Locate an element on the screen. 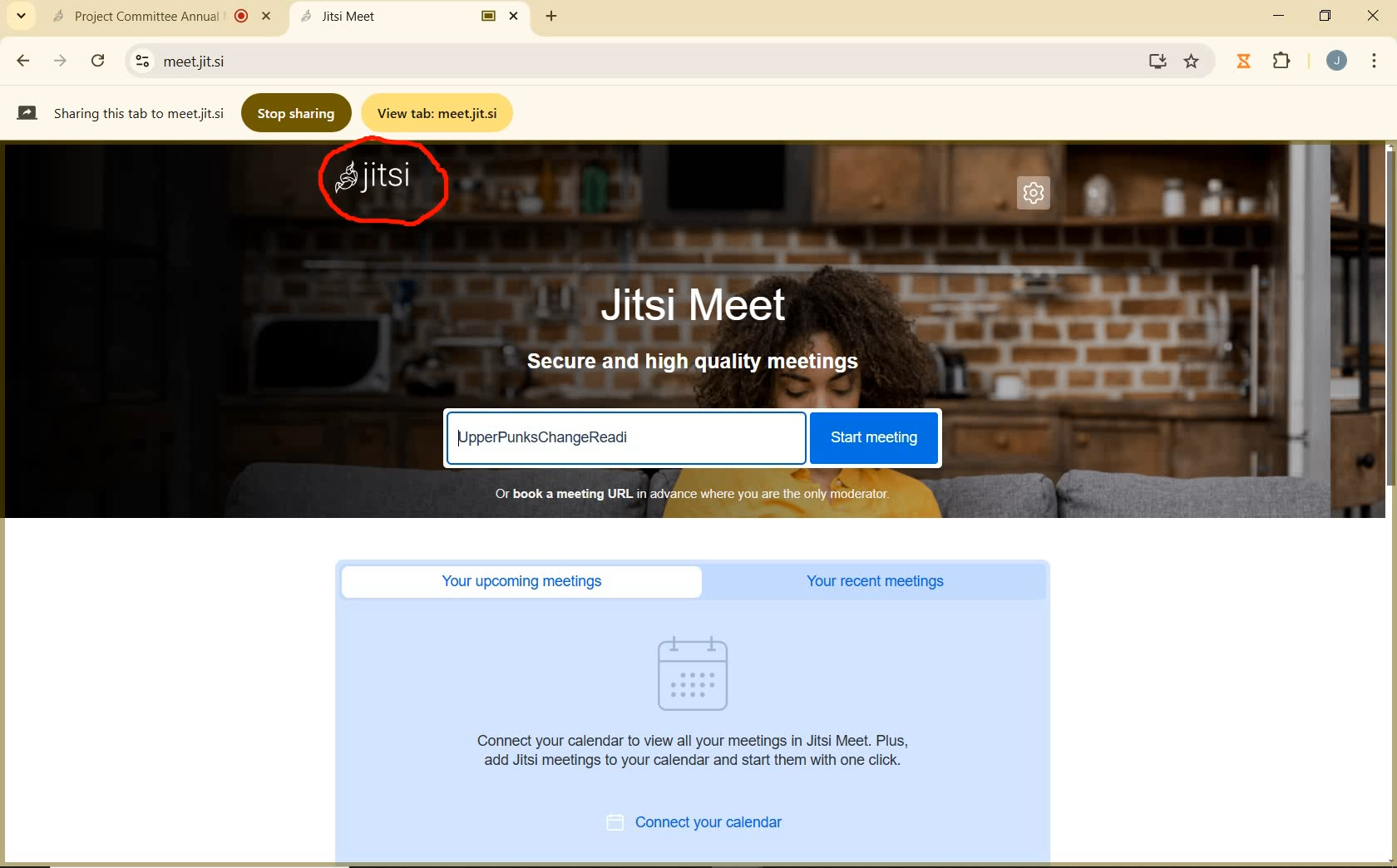  meet.jit.si is located at coordinates (263, 61).